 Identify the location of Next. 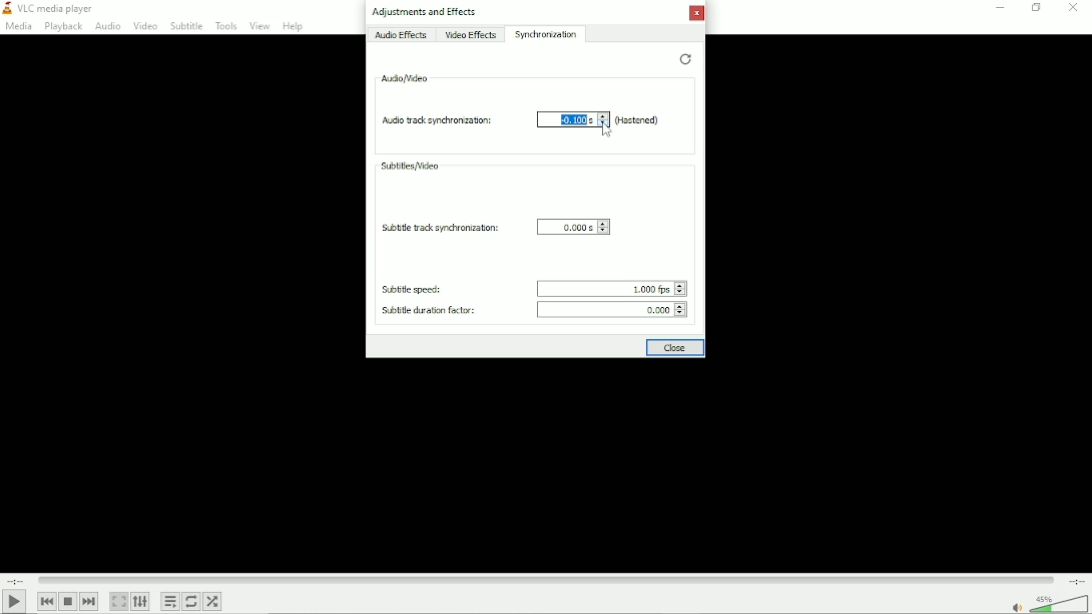
(89, 601).